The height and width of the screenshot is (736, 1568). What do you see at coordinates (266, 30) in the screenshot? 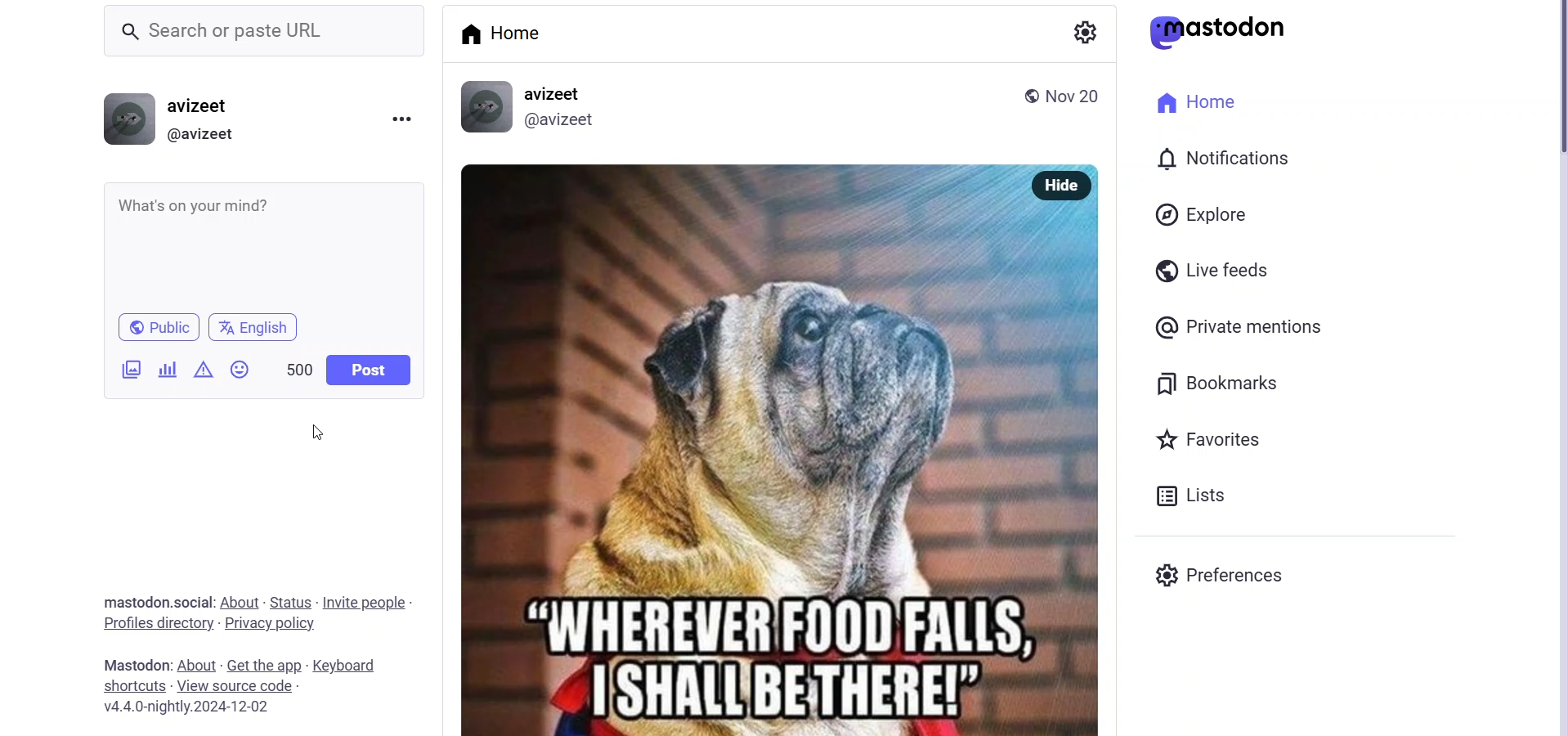
I see `Search or paste URL` at bounding box center [266, 30].